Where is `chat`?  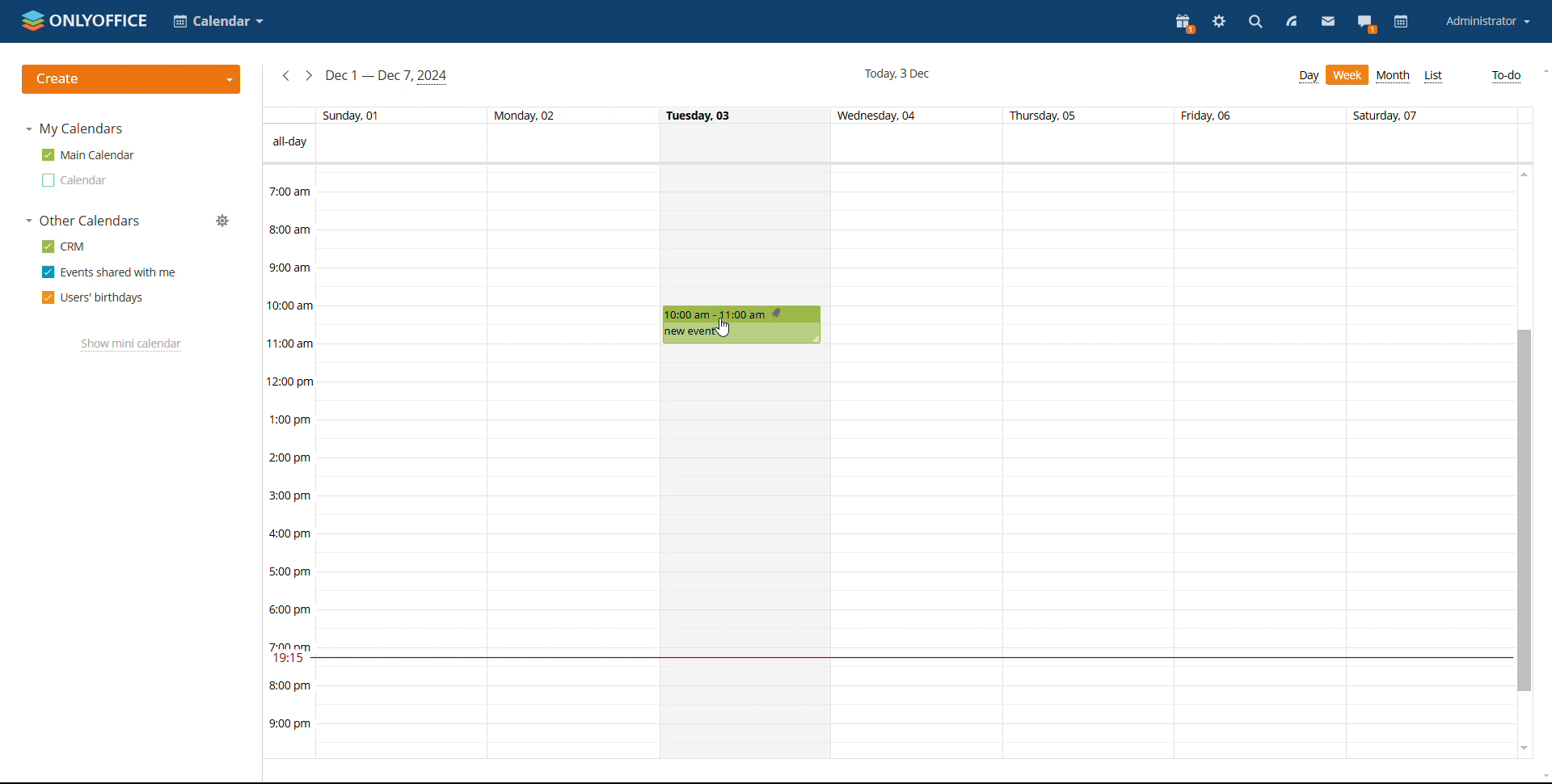
chat is located at coordinates (1366, 23).